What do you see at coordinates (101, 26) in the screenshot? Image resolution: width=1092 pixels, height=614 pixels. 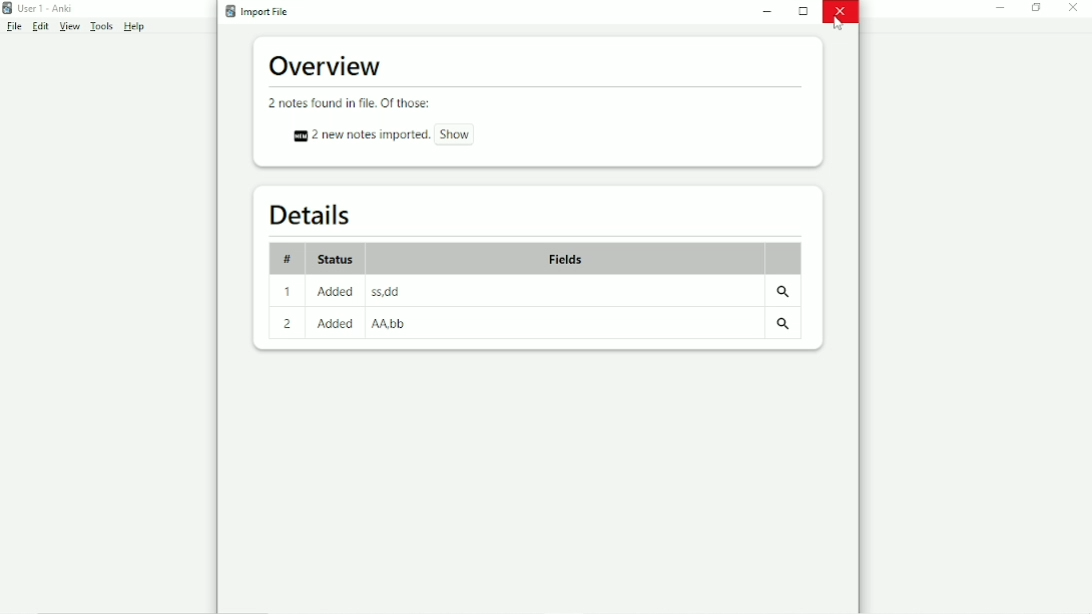 I see `Tools` at bounding box center [101, 26].